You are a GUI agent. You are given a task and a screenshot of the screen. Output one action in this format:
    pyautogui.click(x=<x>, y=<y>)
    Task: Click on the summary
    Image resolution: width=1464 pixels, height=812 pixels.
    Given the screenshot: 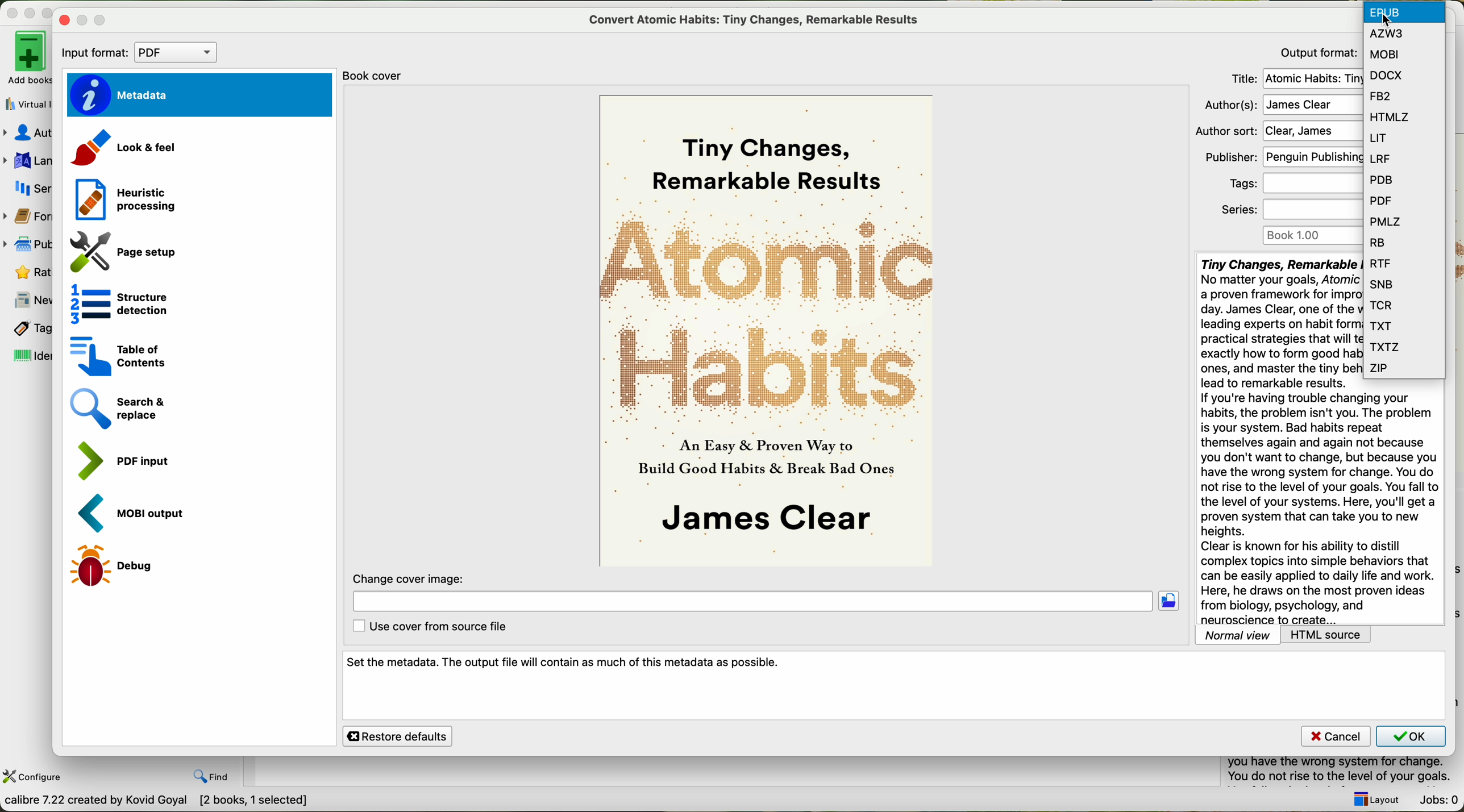 What is the action you would take?
    pyautogui.click(x=1345, y=772)
    